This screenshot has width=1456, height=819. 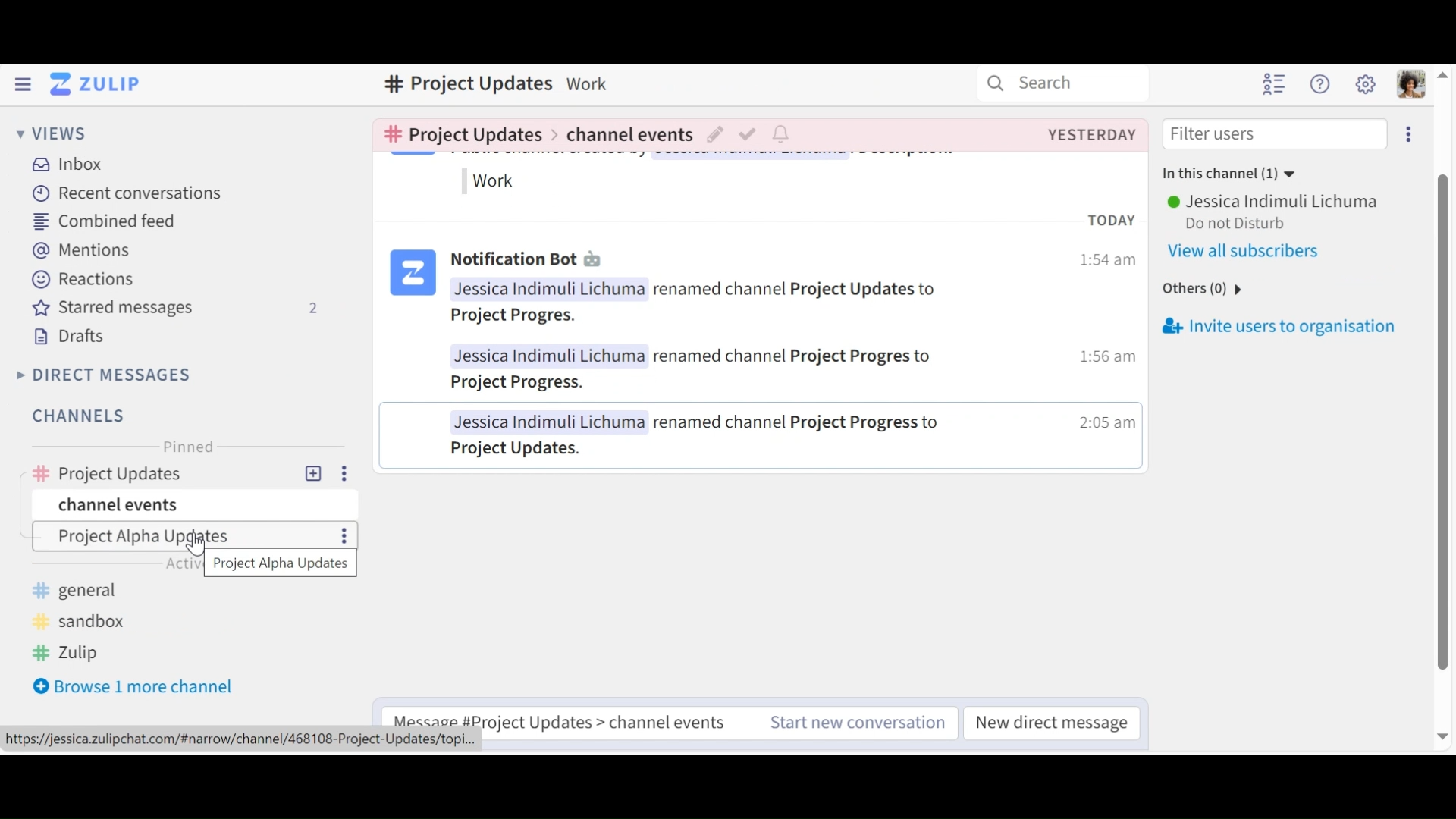 I want to click on 2:05am |, so click(x=1106, y=427).